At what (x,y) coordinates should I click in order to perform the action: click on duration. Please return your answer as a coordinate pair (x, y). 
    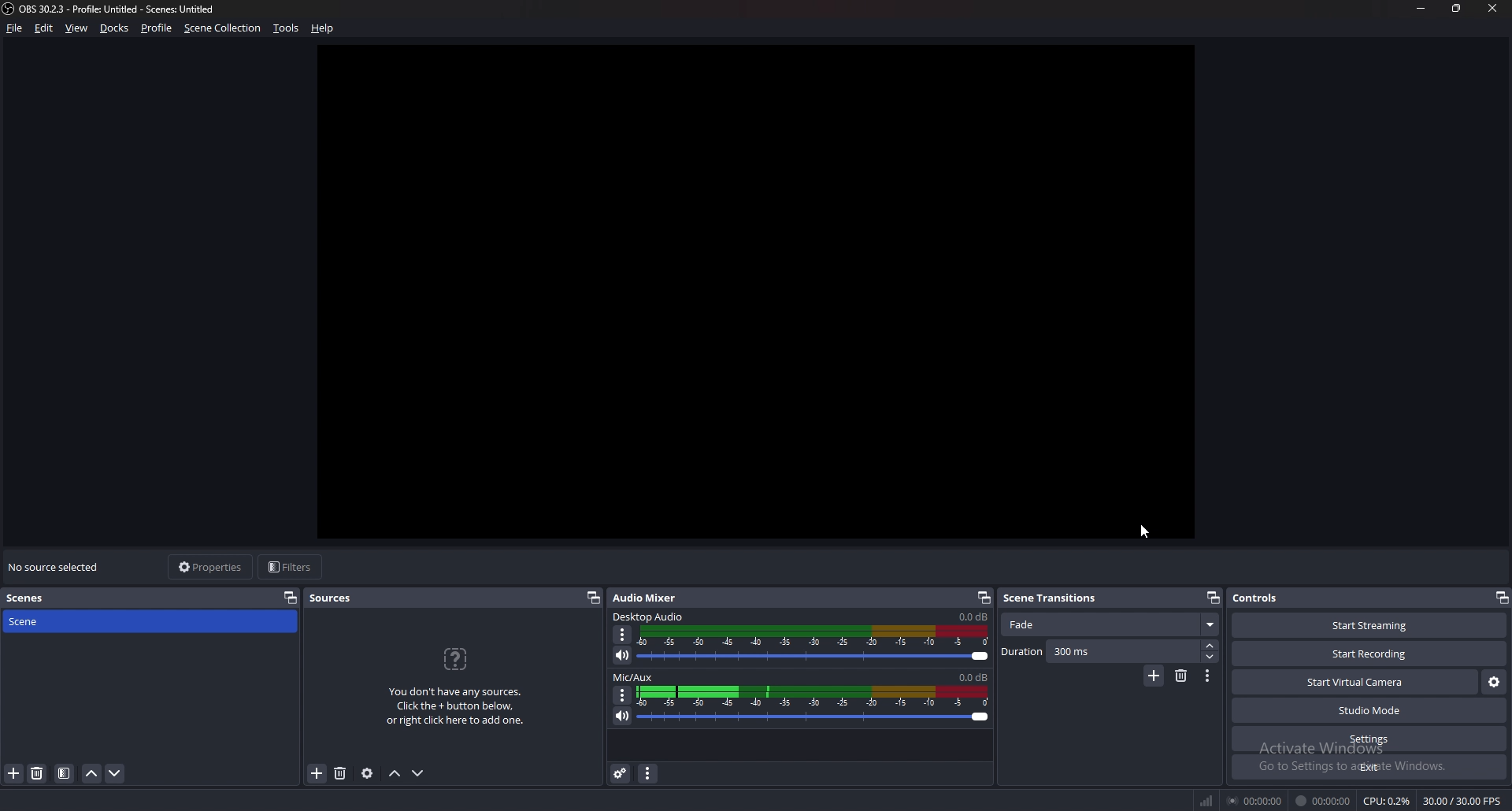
    Looking at the image, I should click on (1099, 652).